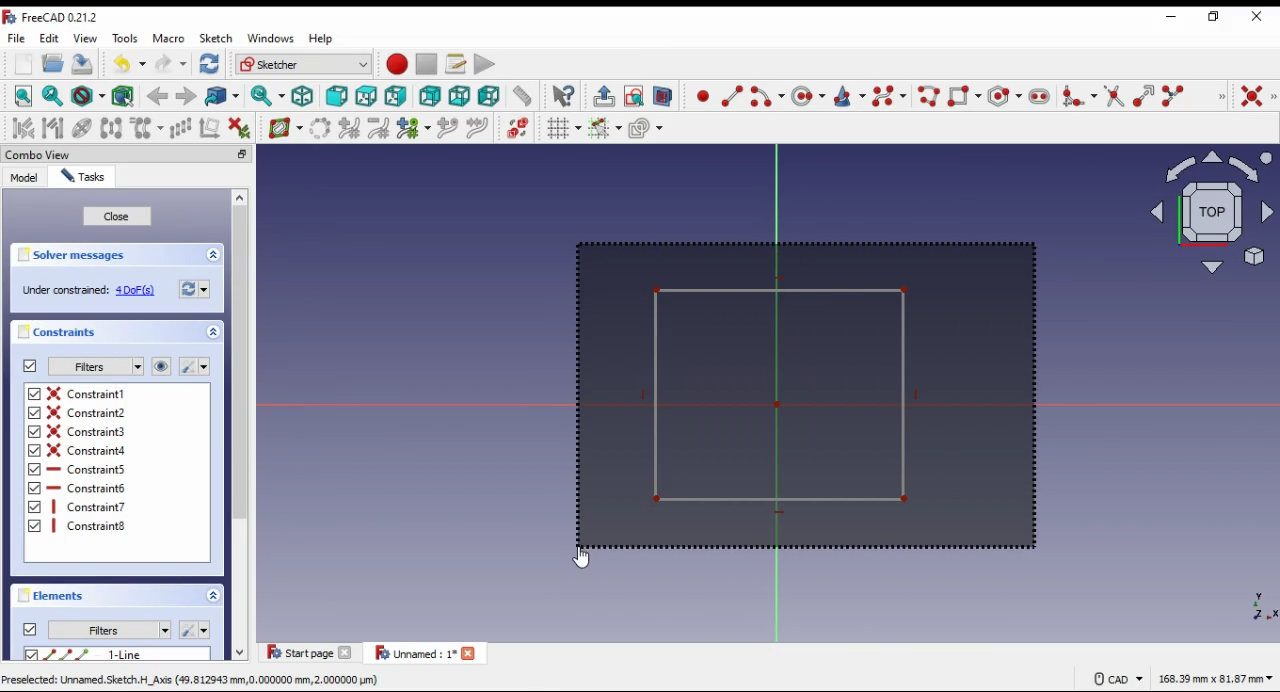  Describe the element at coordinates (31, 366) in the screenshot. I see `on/off constraints` at that location.